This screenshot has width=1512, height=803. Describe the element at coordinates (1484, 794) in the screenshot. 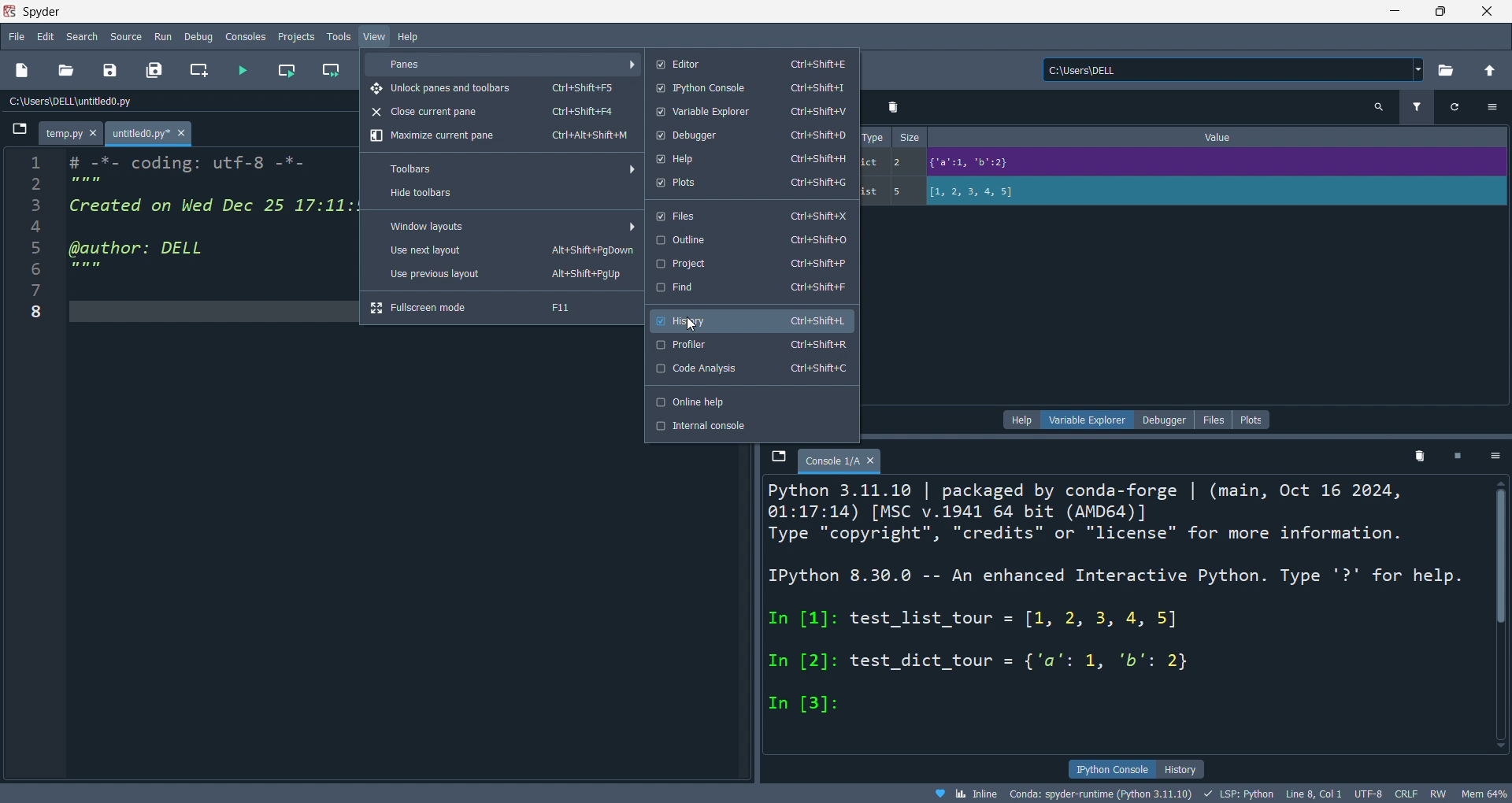

I see `memory usage` at that location.